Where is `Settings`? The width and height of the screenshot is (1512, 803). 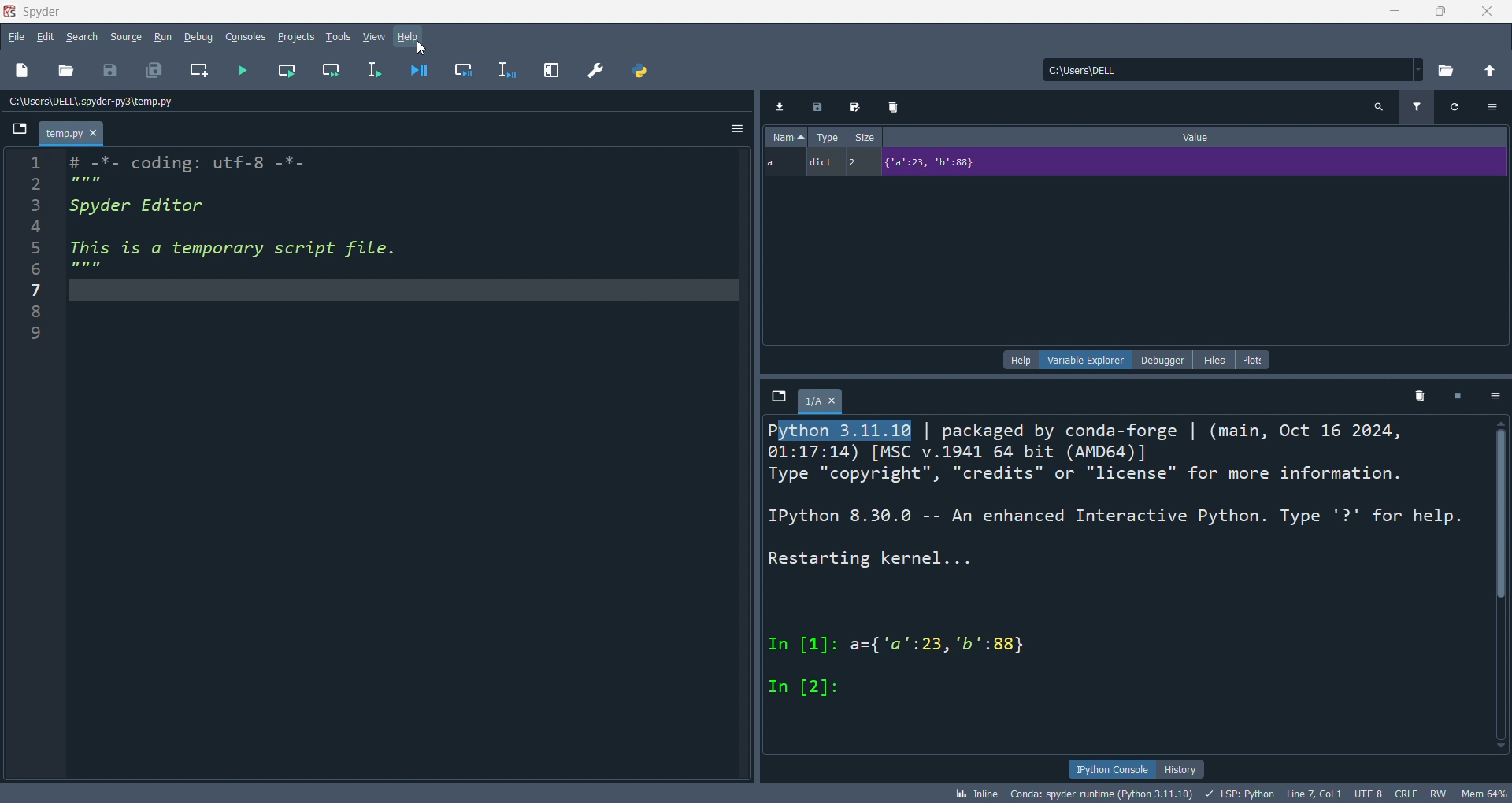
Settings is located at coordinates (1495, 395).